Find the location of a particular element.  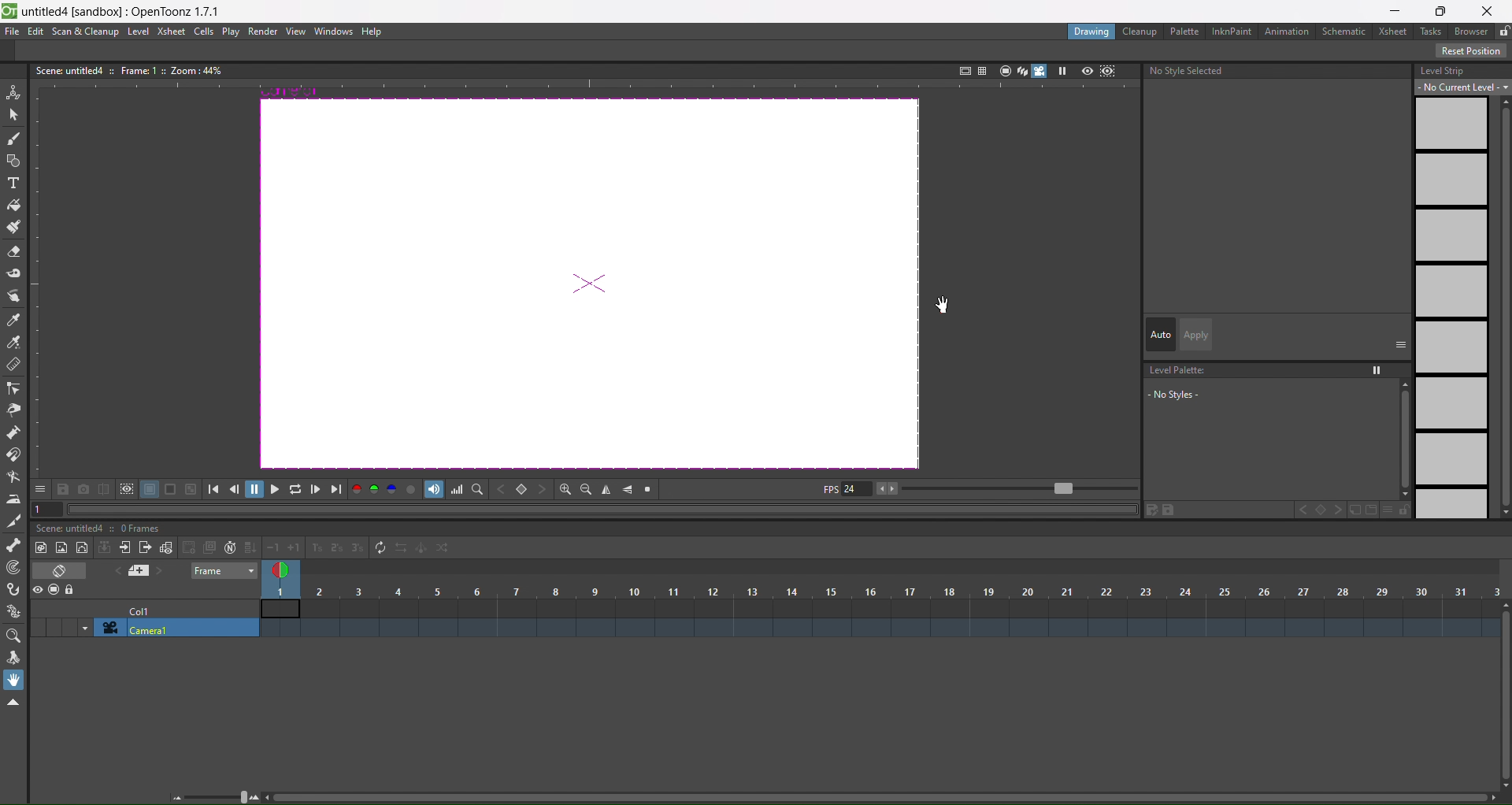

close is located at coordinates (1492, 9).